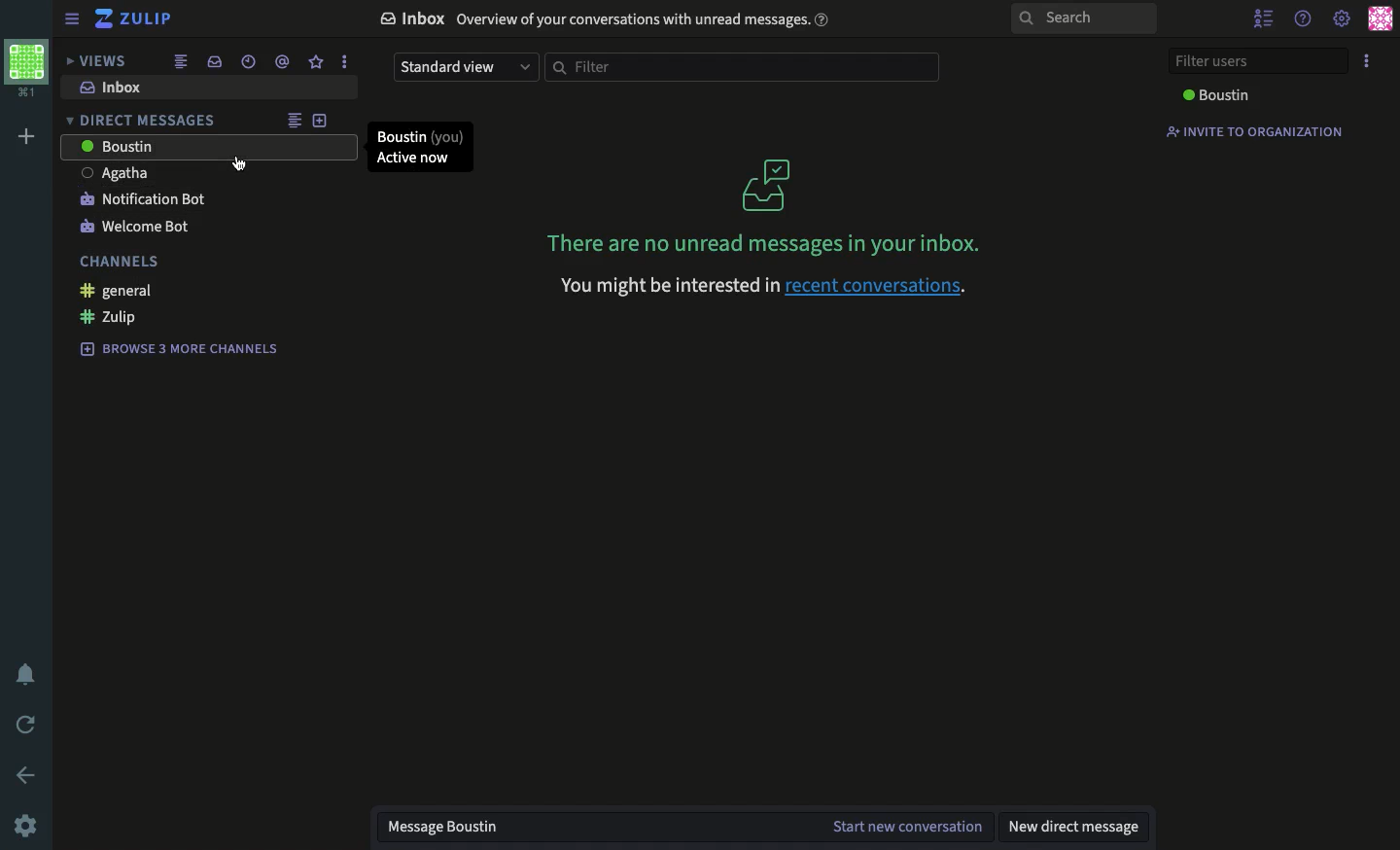  What do you see at coordinates (1304, 18) in the screenshot?
I see `help` at bounding box center [1304, 18].